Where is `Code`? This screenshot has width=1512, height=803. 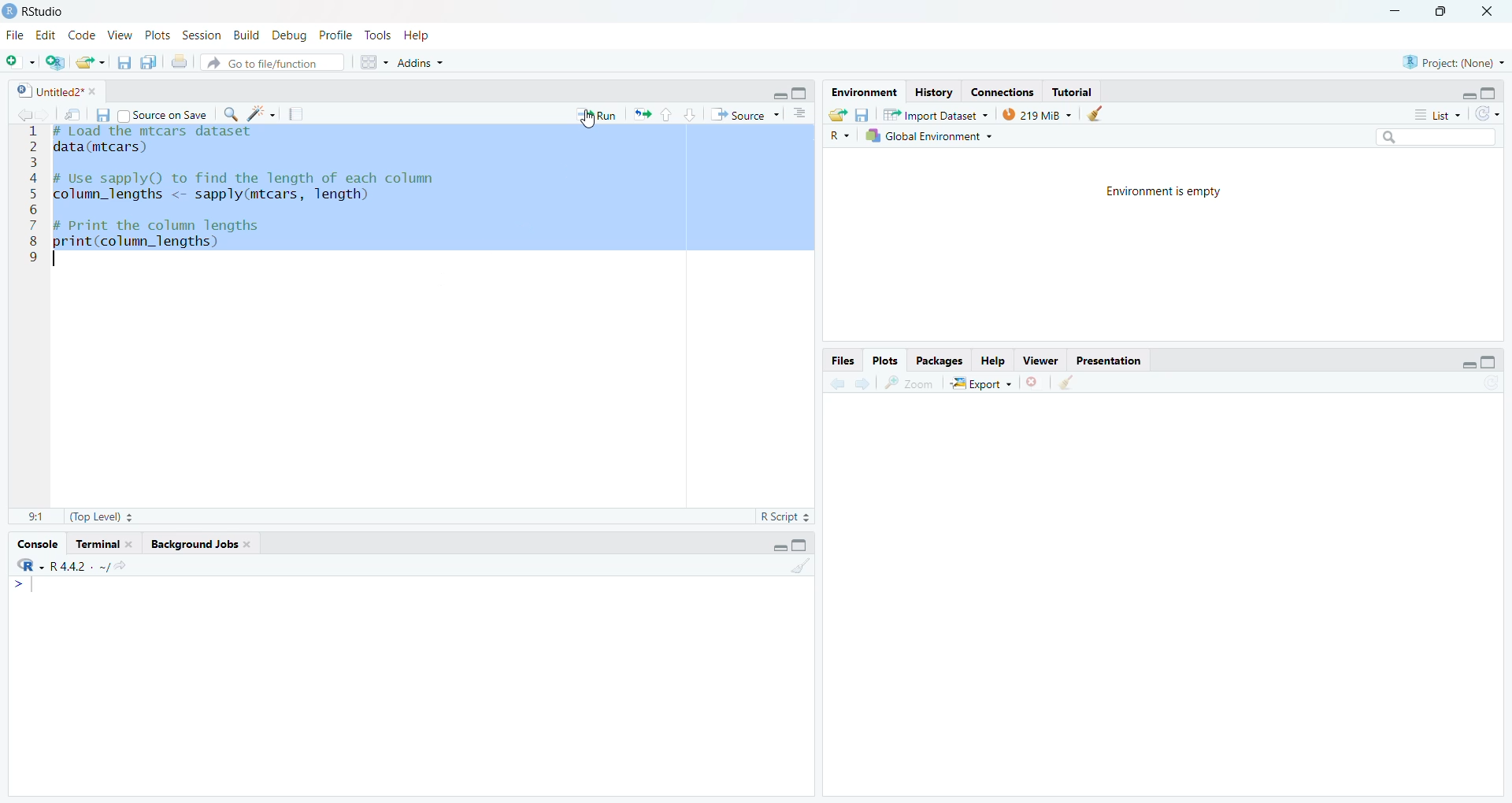 Code is located at coordinates (83, 35).